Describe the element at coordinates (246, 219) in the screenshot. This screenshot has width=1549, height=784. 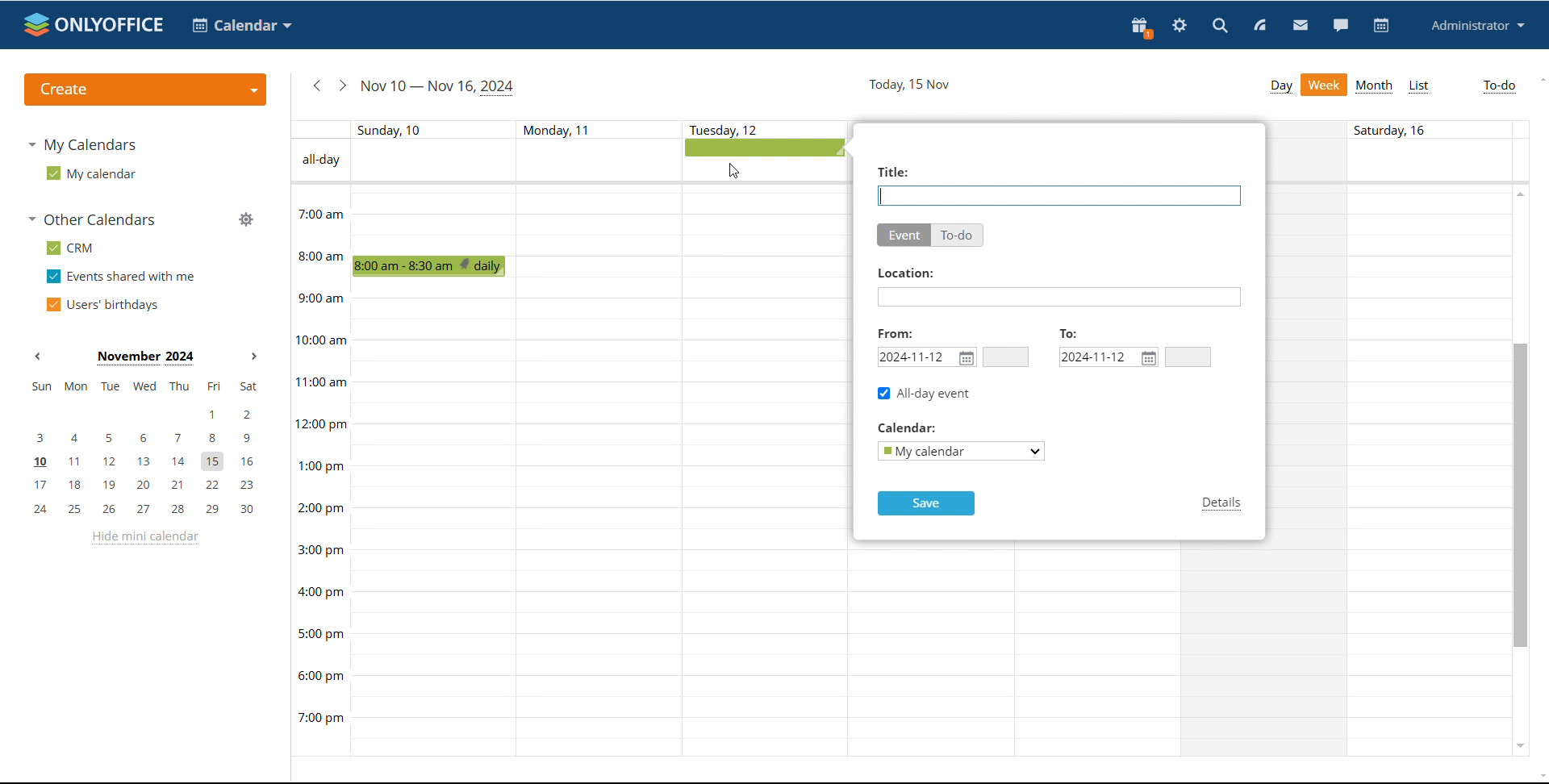
I see `manage` at that location.